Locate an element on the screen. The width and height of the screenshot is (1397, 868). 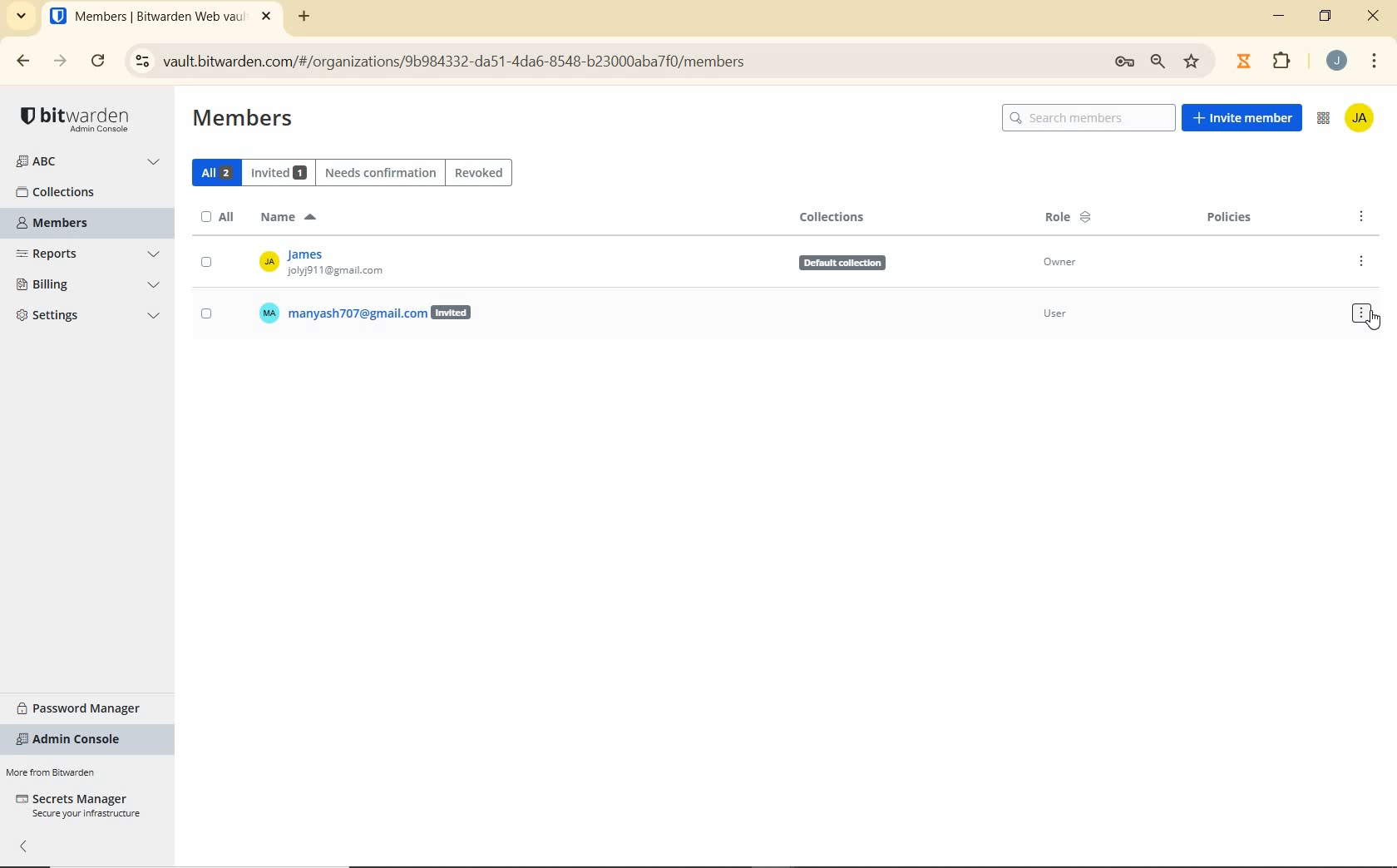
ADDRESS BAR is located at coordinates (668, 60).